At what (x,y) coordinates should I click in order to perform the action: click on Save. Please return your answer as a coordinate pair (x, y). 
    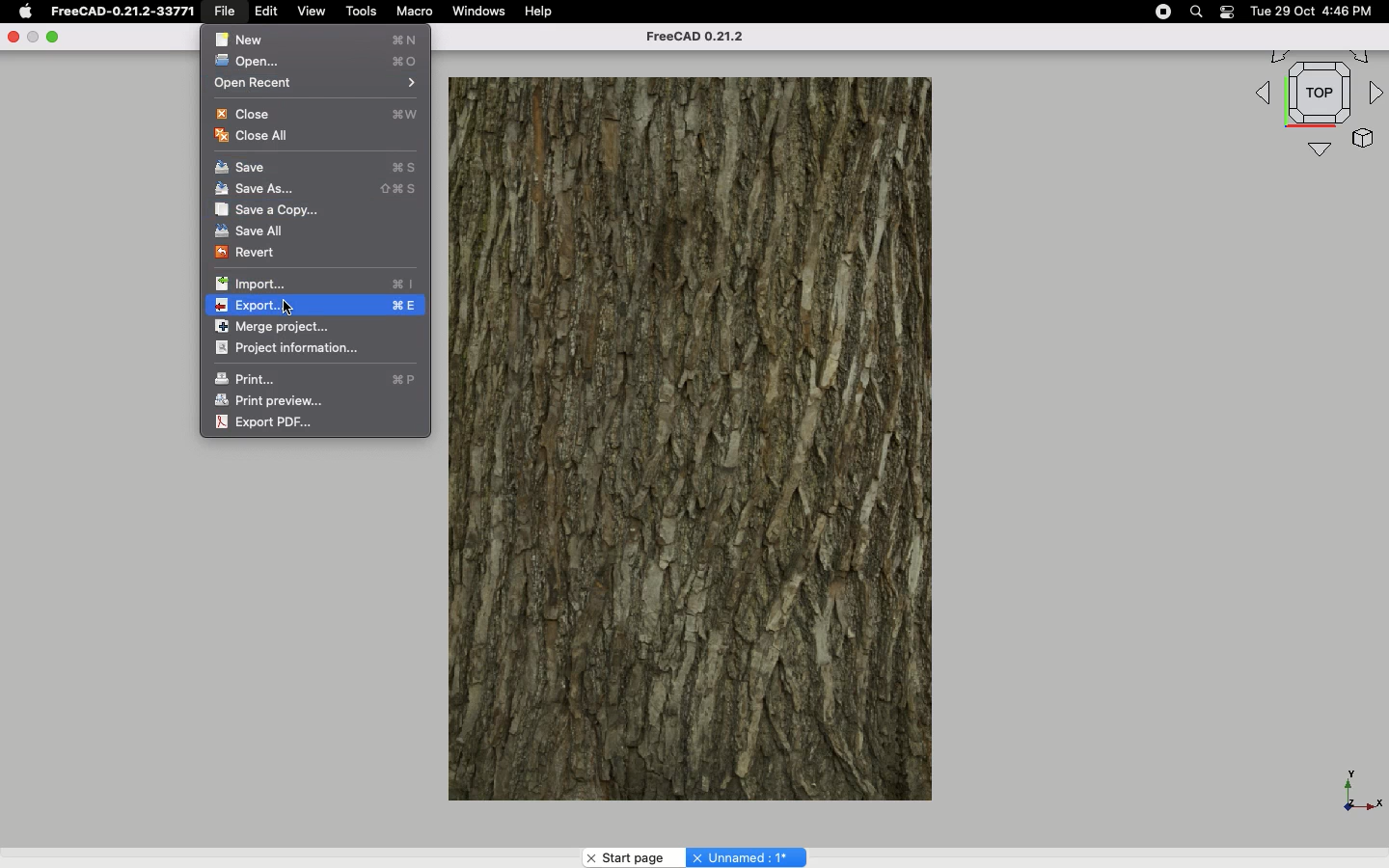
    Looking at the image, I should click on (315, 168).